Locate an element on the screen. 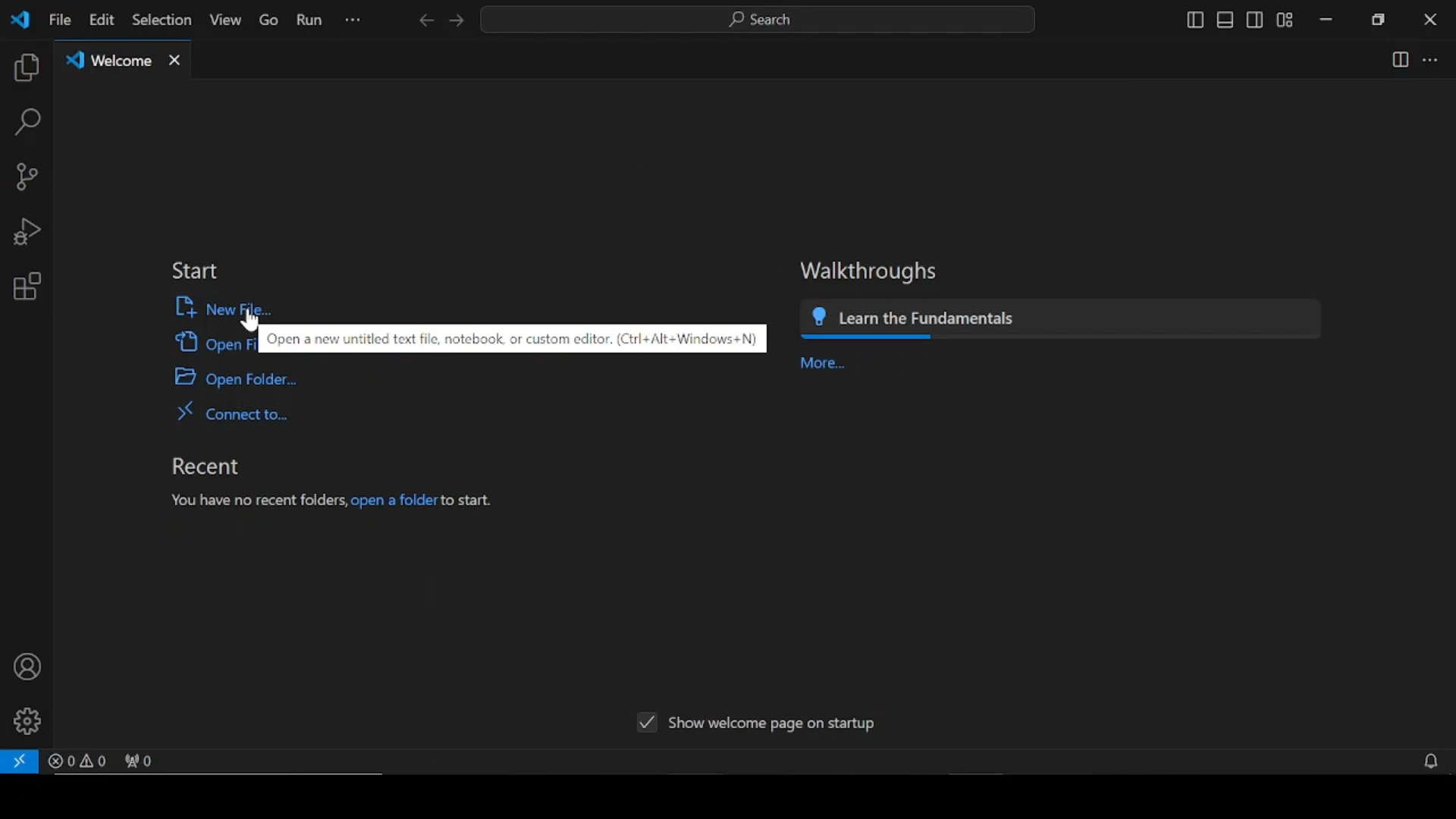 This screenshot has width=1456, height=819. no ports forwarded is located at coordinates (140, 761).